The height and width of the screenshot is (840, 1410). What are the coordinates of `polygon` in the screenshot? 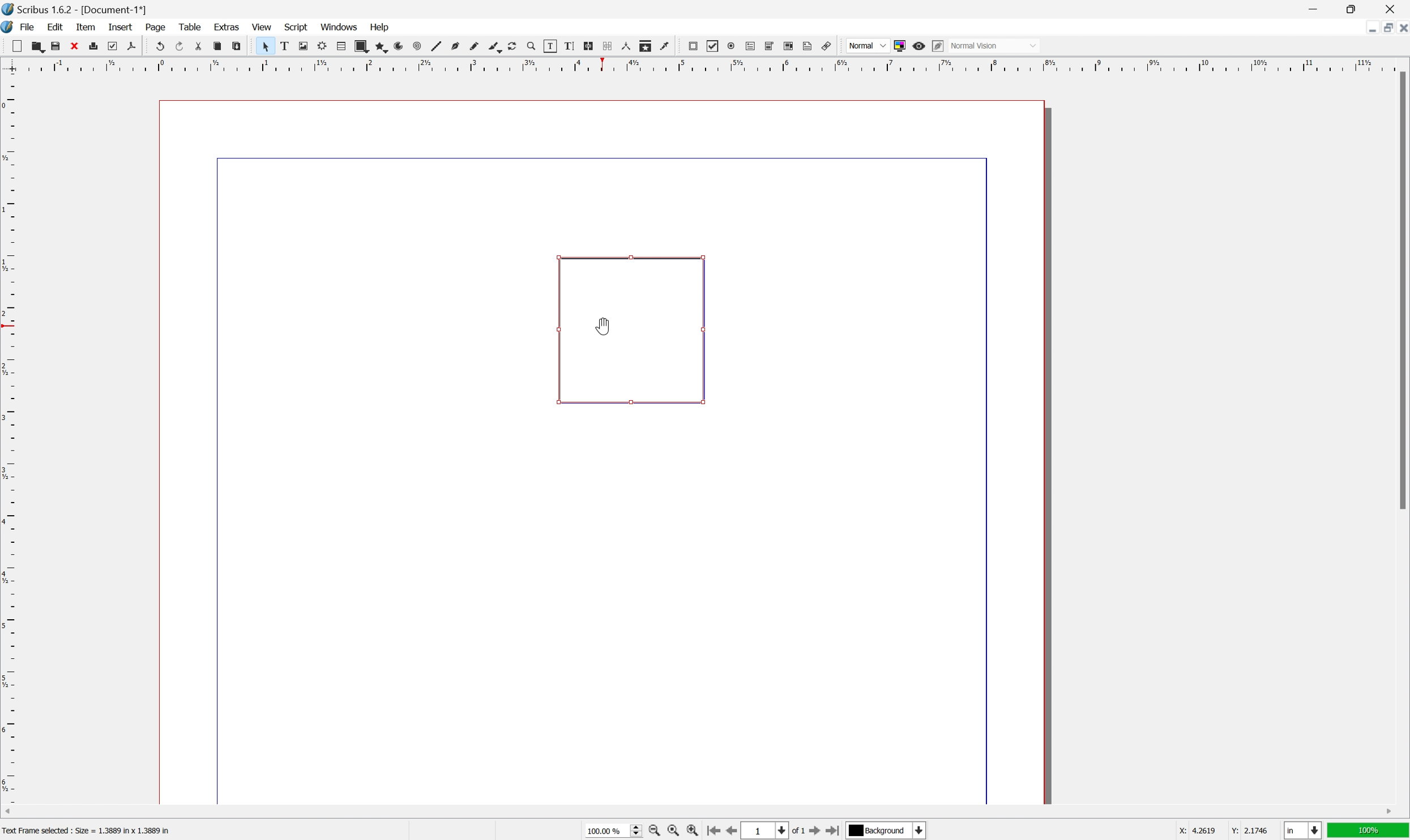 It's located at (380, 46).